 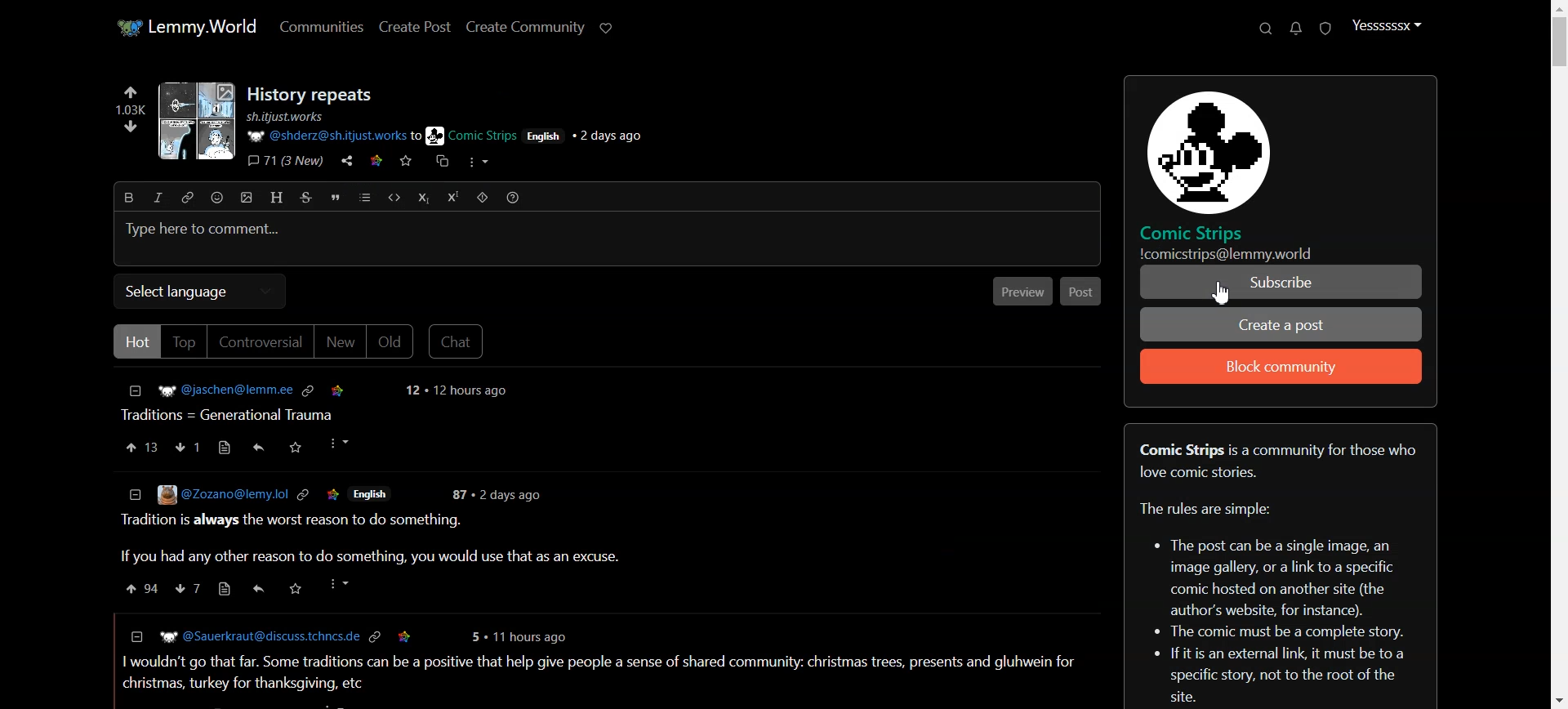 I want to click on Quote, so click(x=335, y=196).